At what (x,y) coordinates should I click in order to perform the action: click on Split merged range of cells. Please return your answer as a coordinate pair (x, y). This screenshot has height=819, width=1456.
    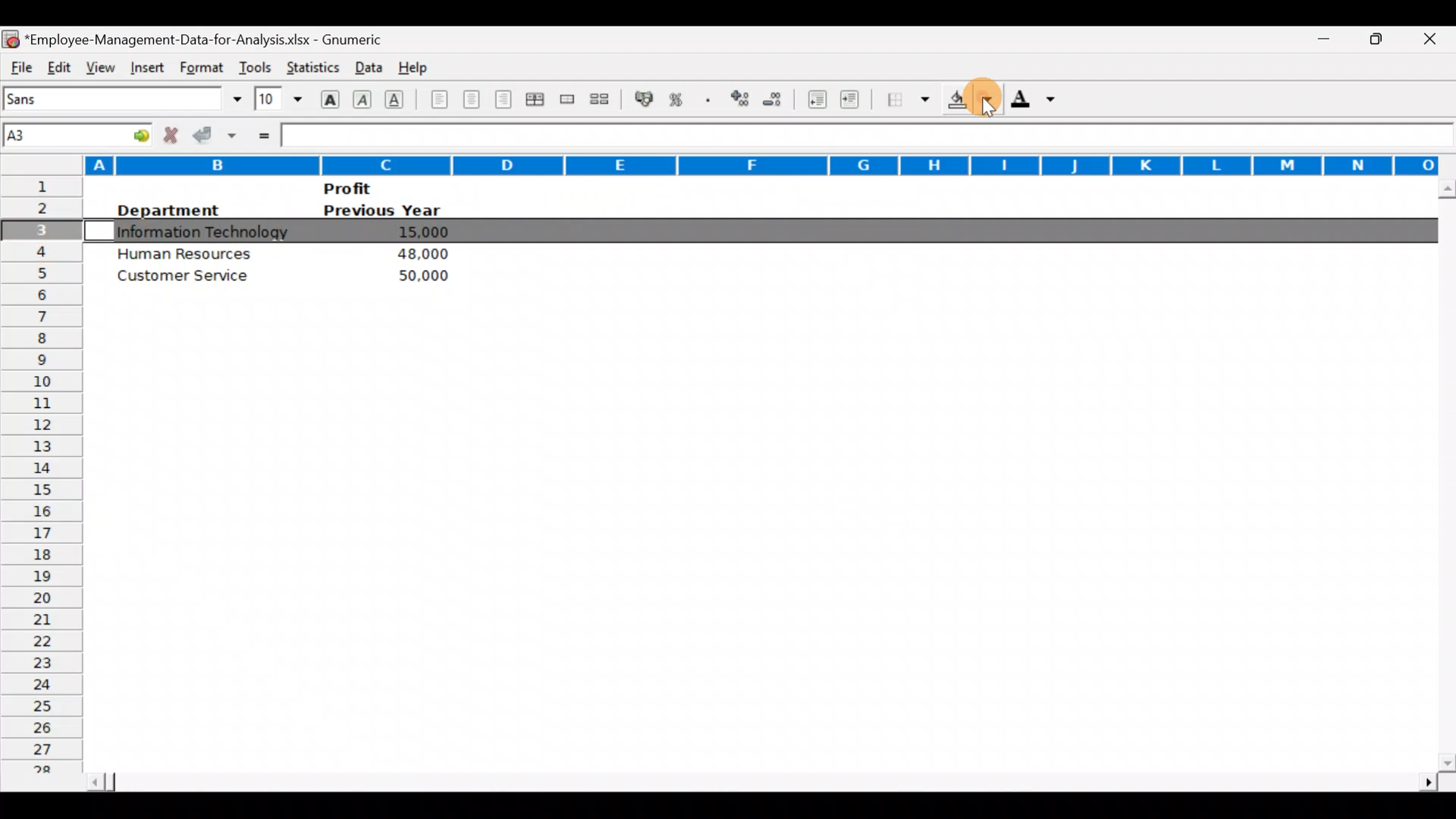
    Looking at the image, I should click on (600, 99).